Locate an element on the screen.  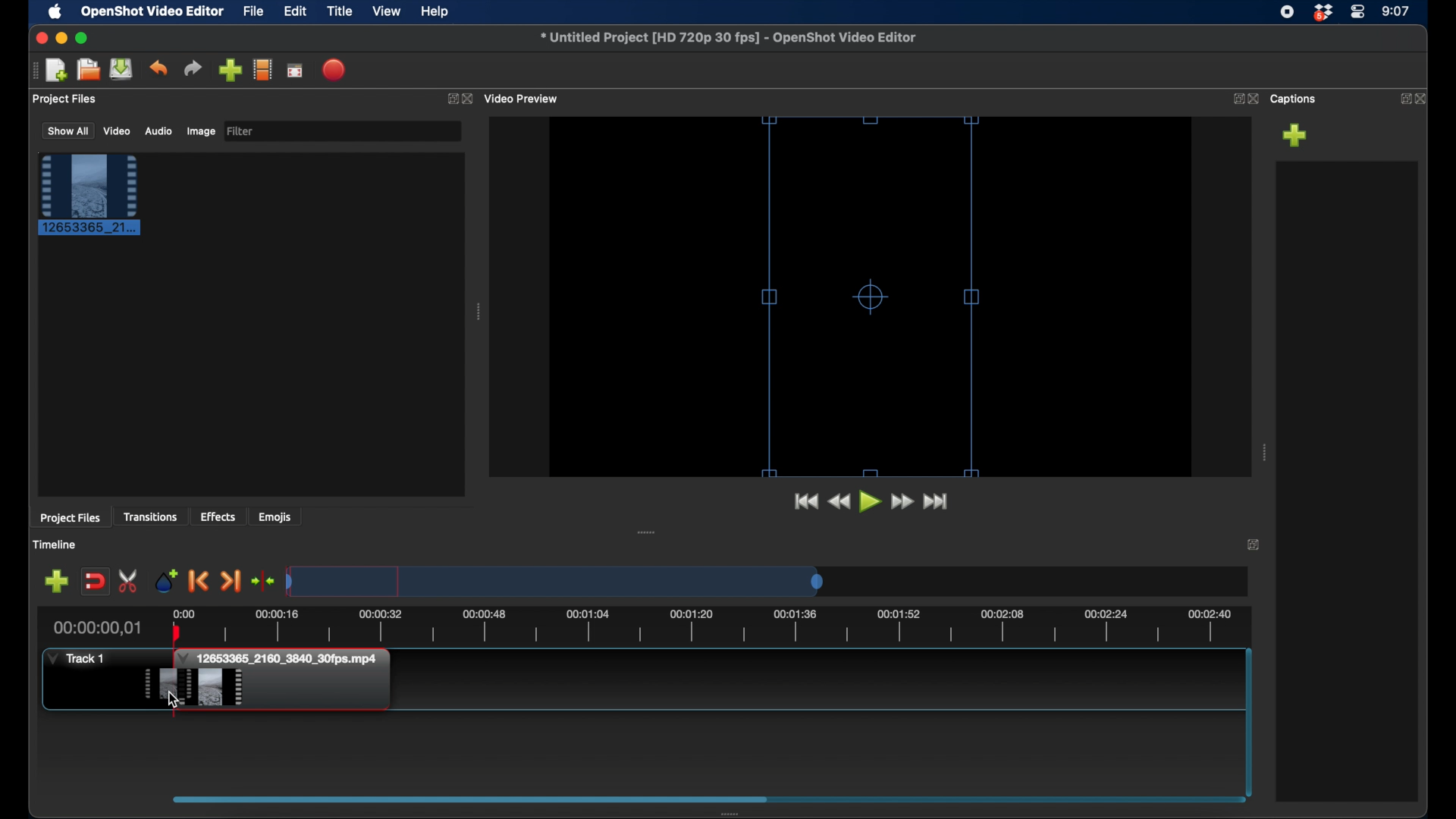
filter is located at coordinates (241, 130).